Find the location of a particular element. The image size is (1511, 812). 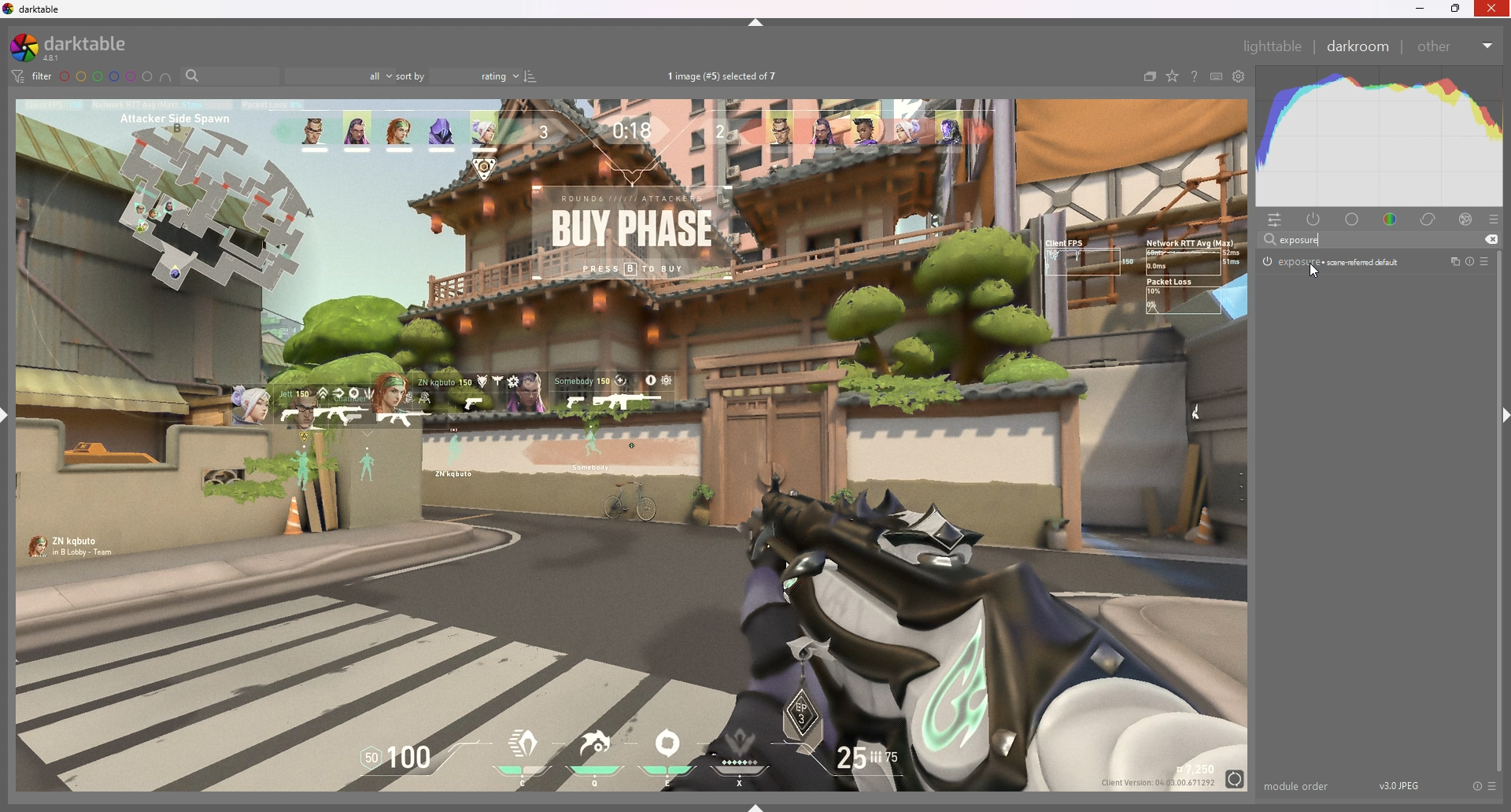

darktable is located at coordinates (35, 9).